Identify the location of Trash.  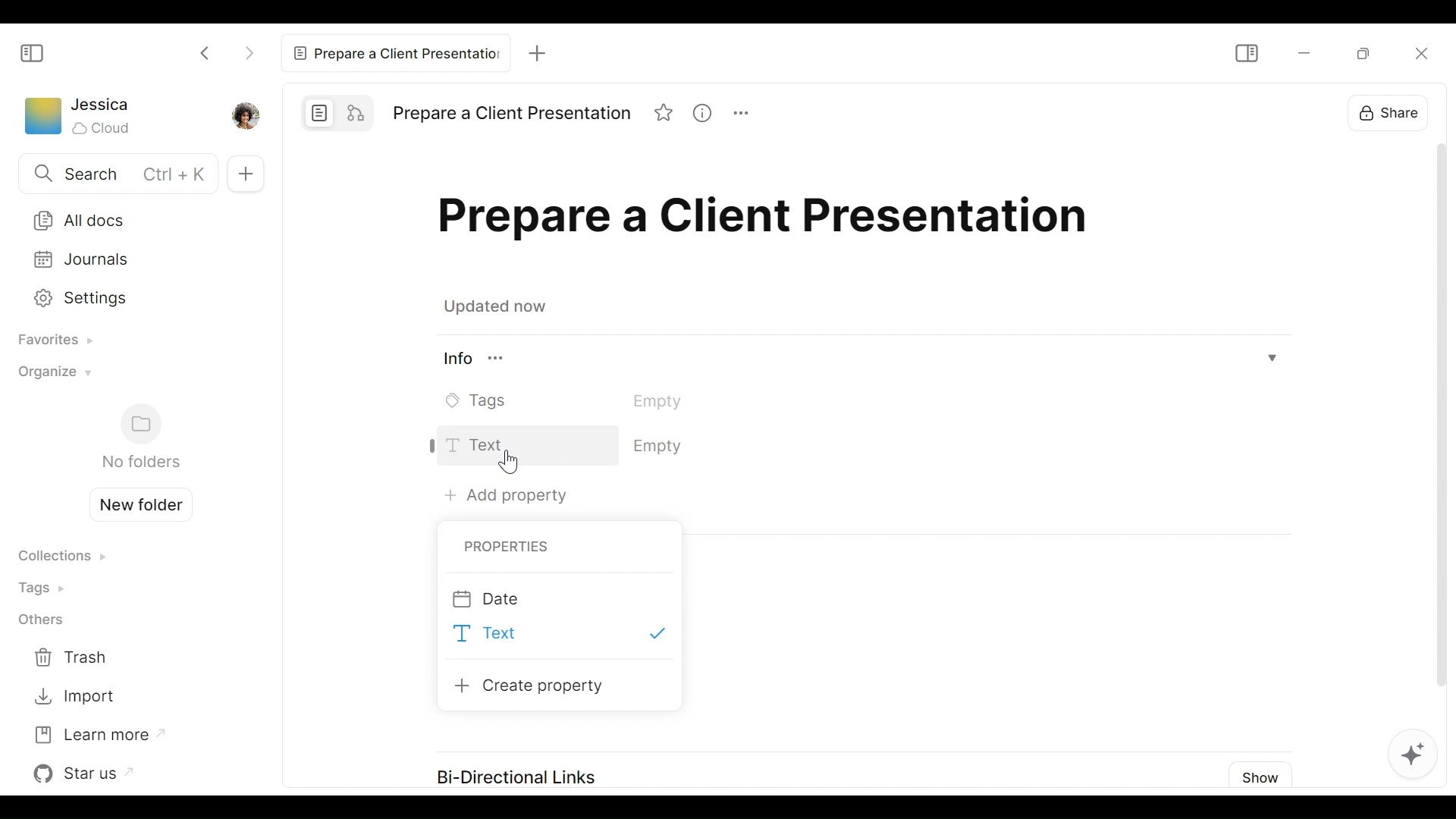
(74, 658).